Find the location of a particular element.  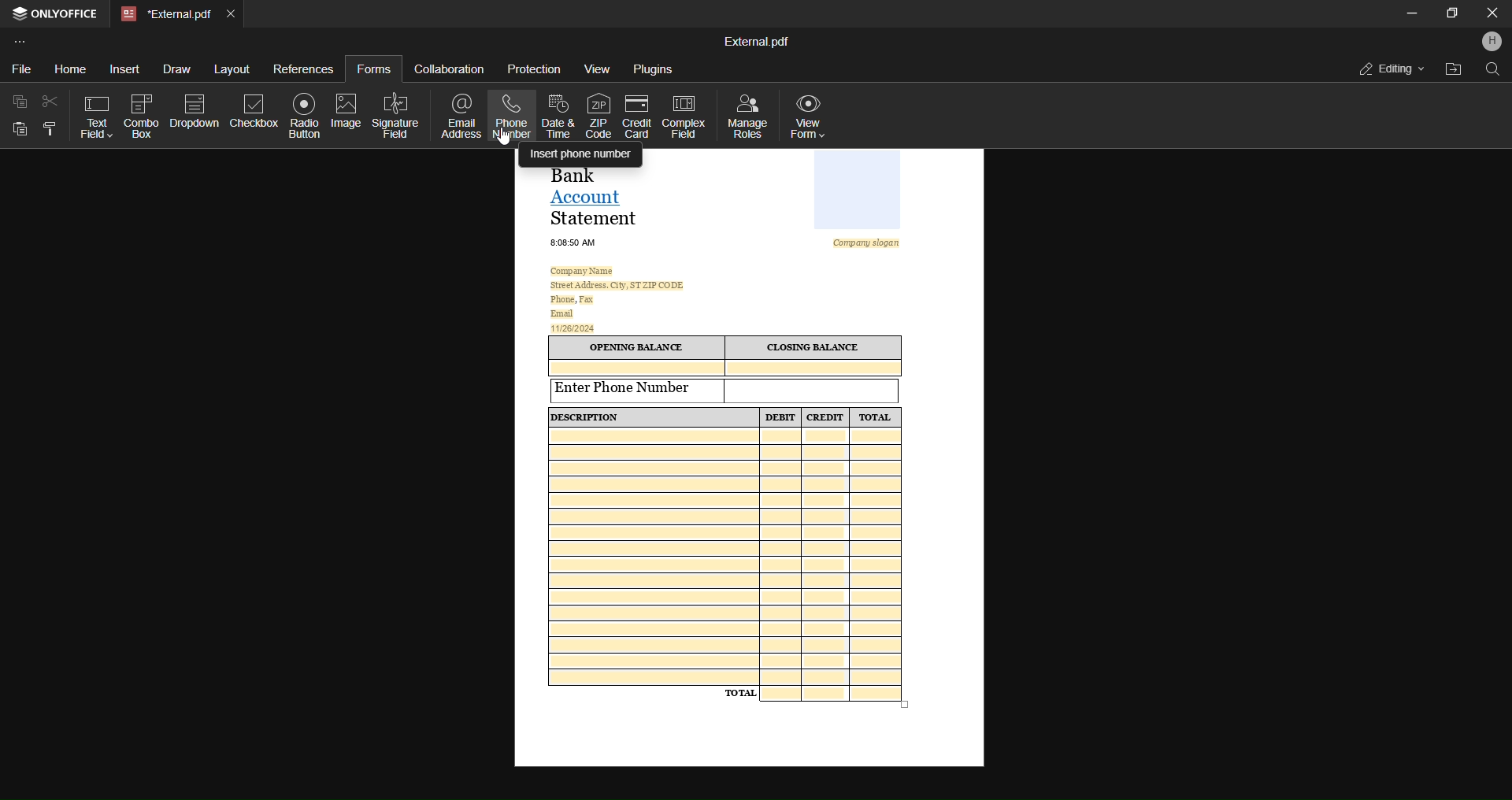

copy is located at coordinates (20, 102).